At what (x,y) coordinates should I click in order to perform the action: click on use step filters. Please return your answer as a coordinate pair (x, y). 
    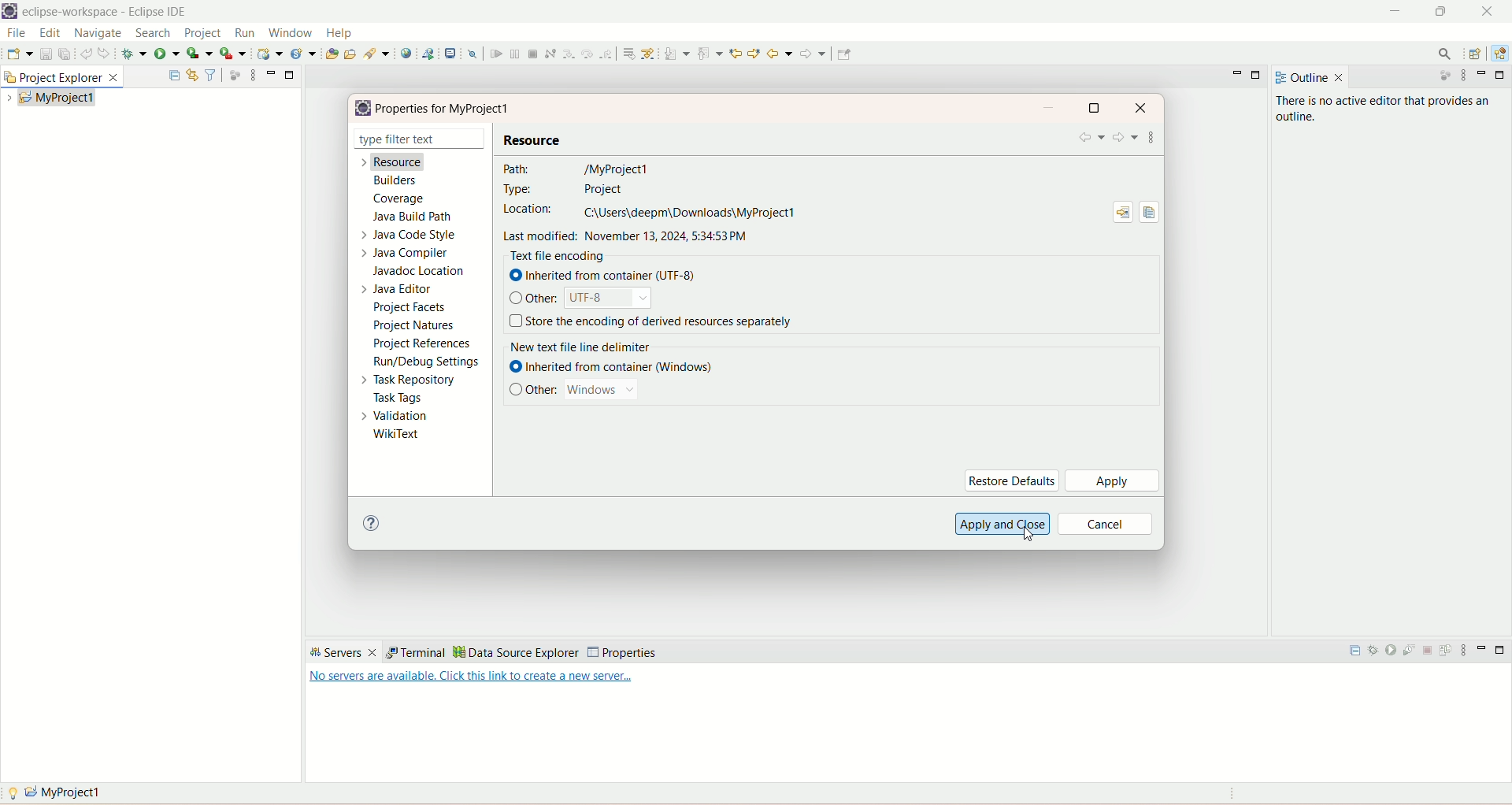
    Looking at the image, I should click on (651, 53).